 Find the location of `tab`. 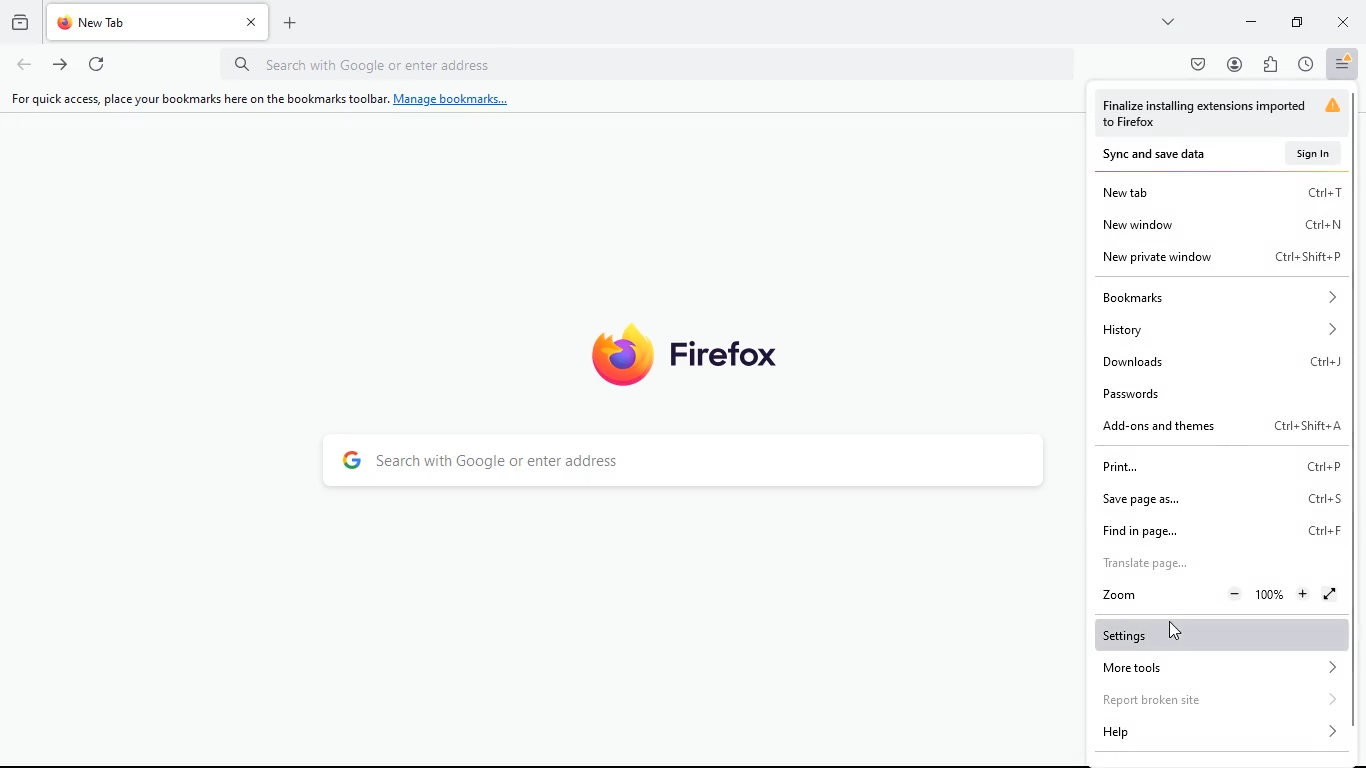

tab is located at coordinates (156, 23).